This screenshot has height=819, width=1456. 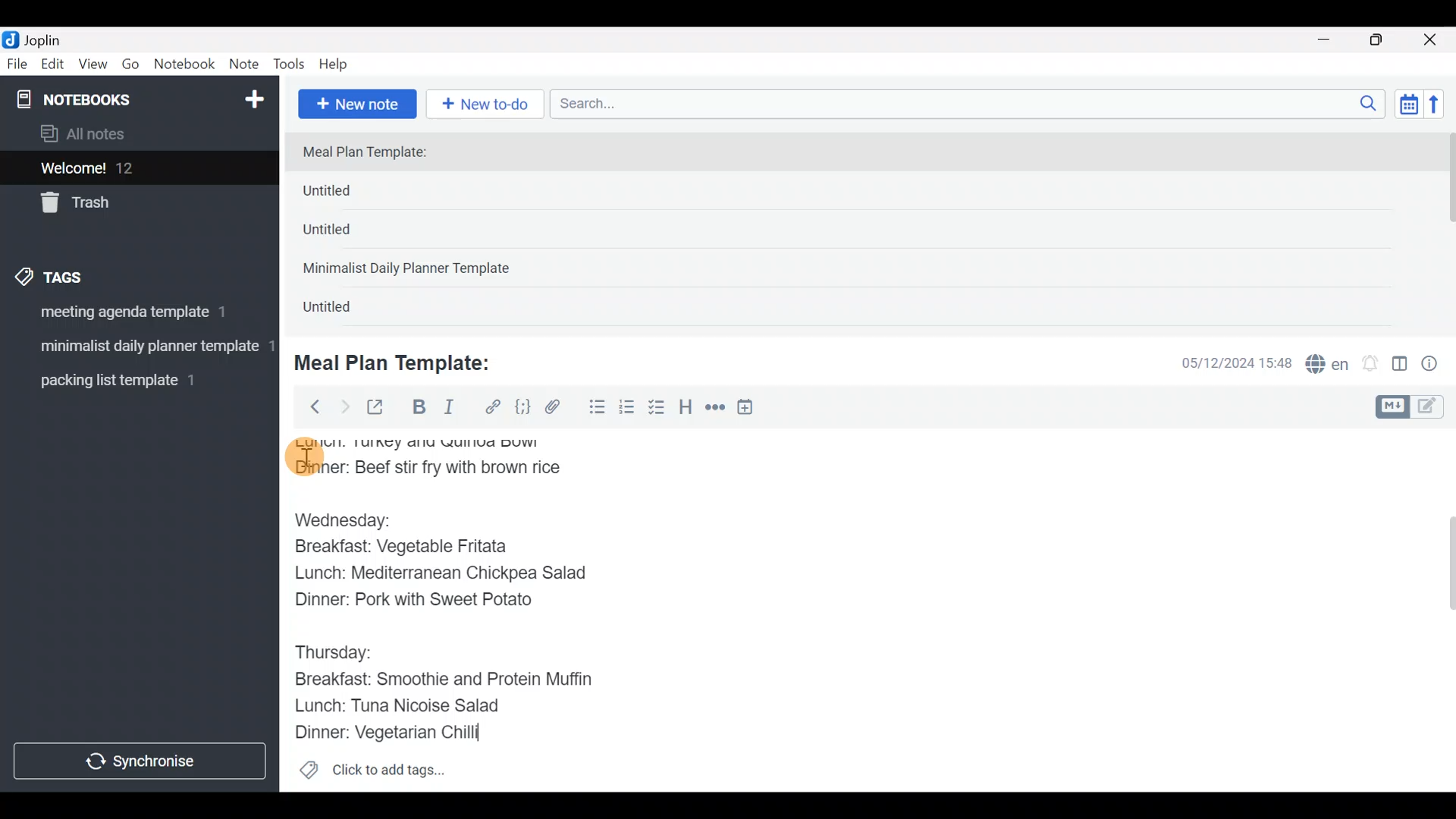 What do you see at coordinates (1446, 229) in the screenshot?
I see `scroll bar` at bounding box center [1446, 229].